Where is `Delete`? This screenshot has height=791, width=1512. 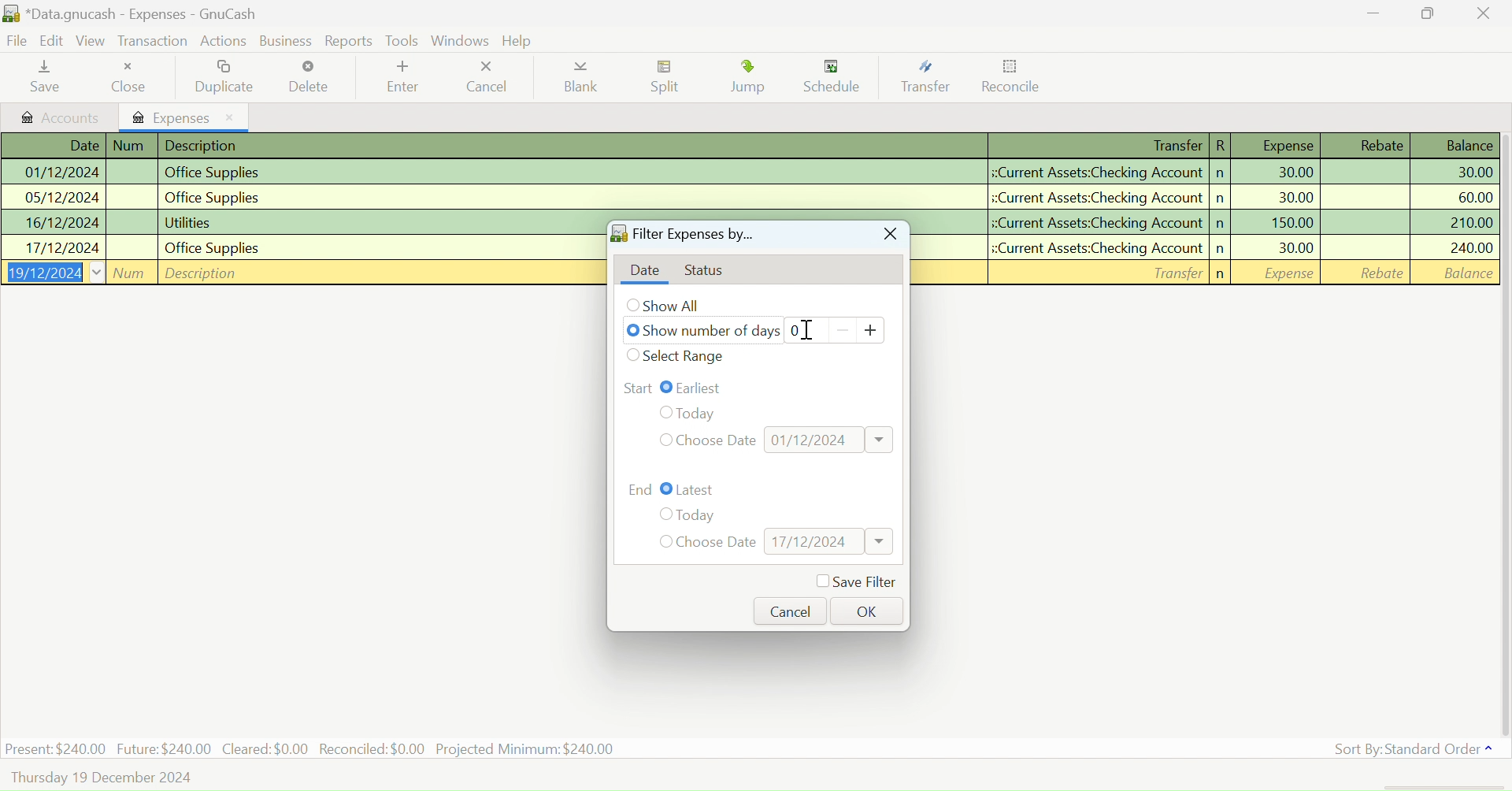
Delete is located at coordinates (309, 77).